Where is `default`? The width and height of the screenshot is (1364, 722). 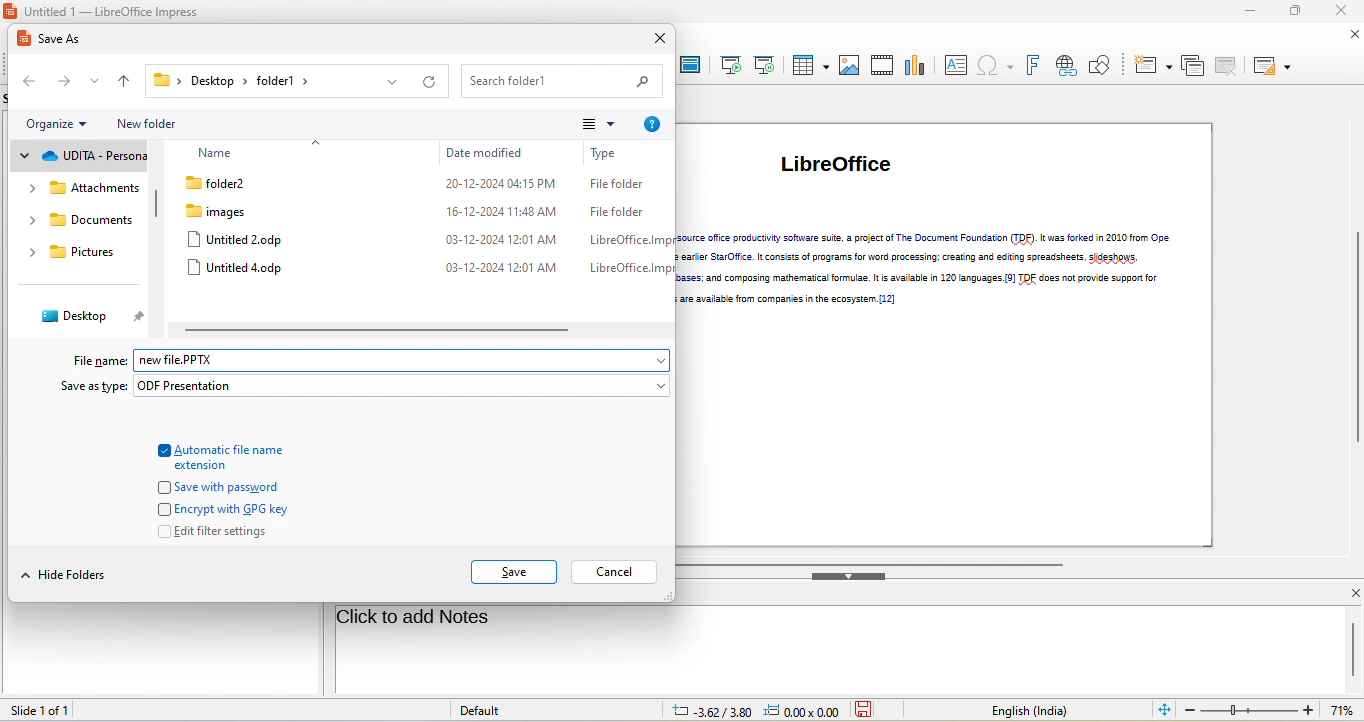 default is located at coordinates (487, 711).